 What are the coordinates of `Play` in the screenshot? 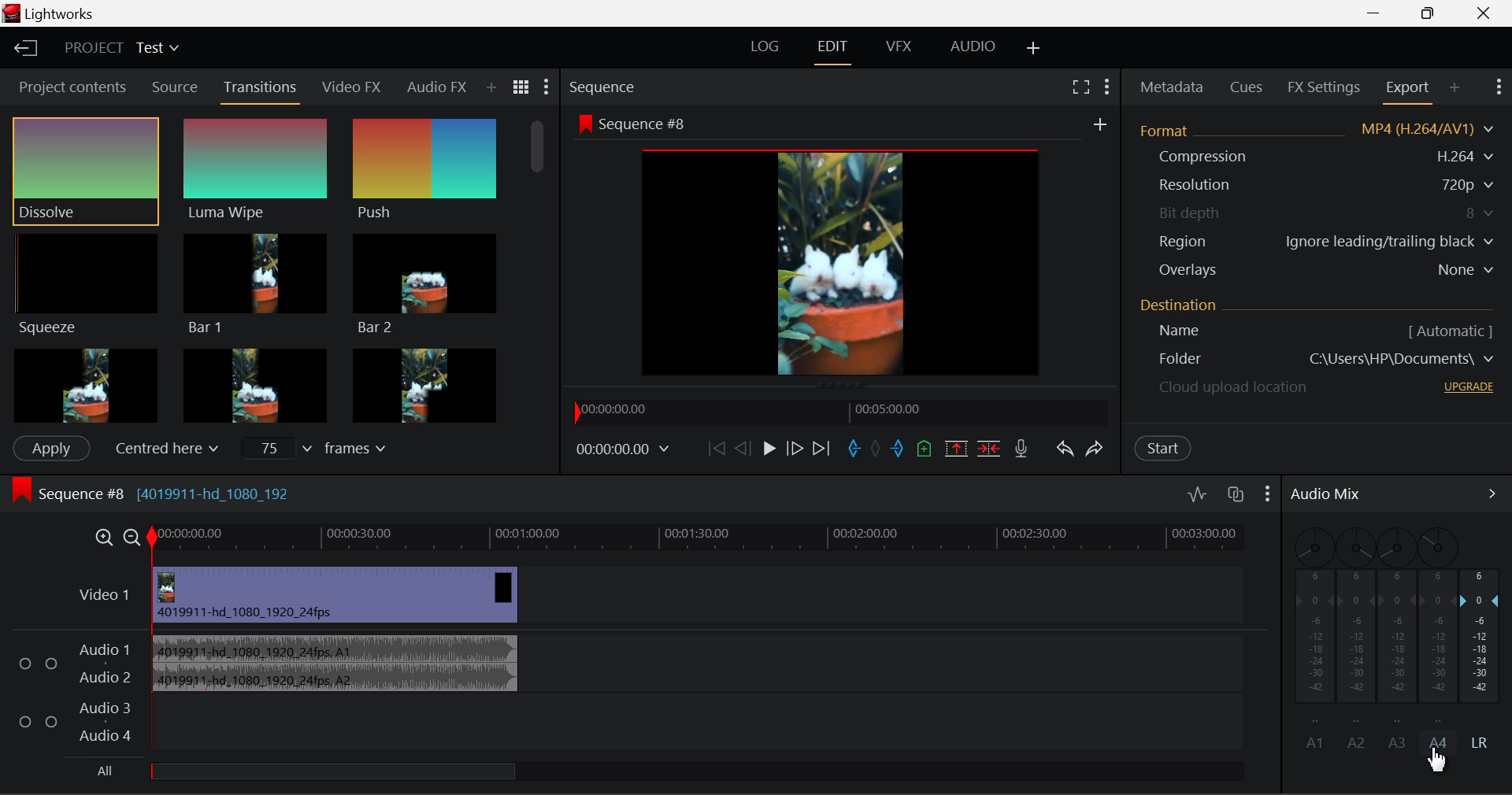 It's located at (766, 449).